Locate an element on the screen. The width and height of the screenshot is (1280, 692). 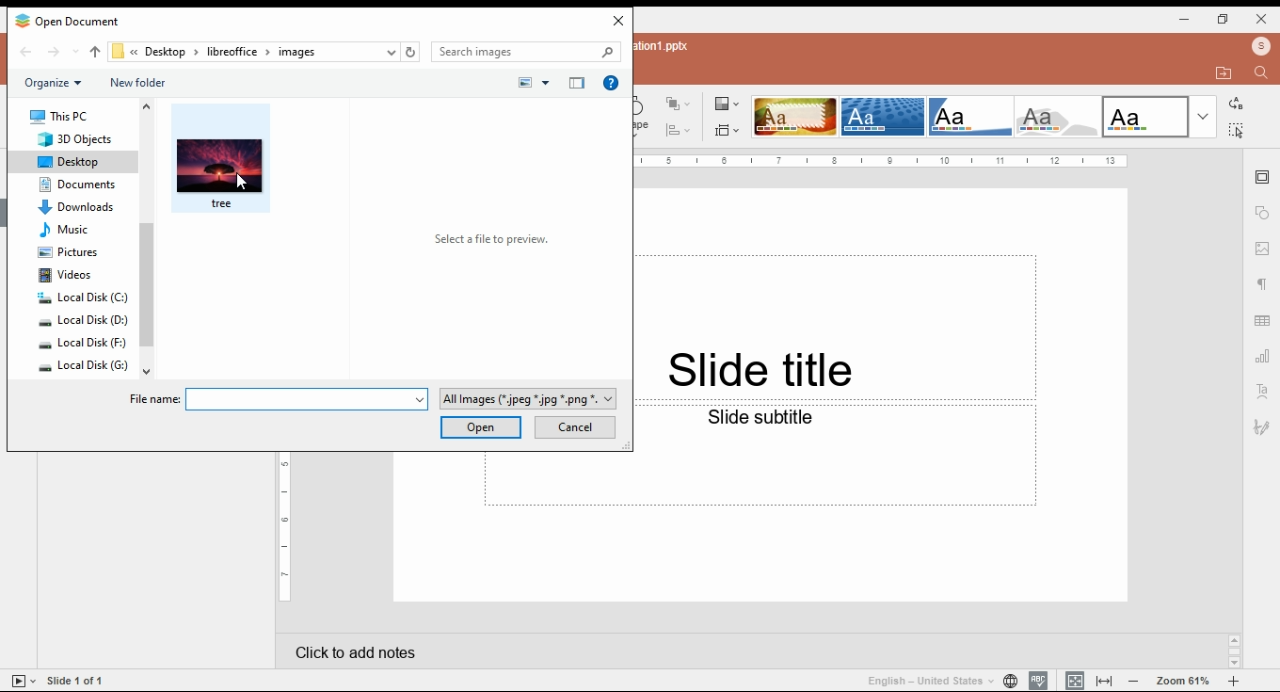
search bar is located at coordinates (526, 52).